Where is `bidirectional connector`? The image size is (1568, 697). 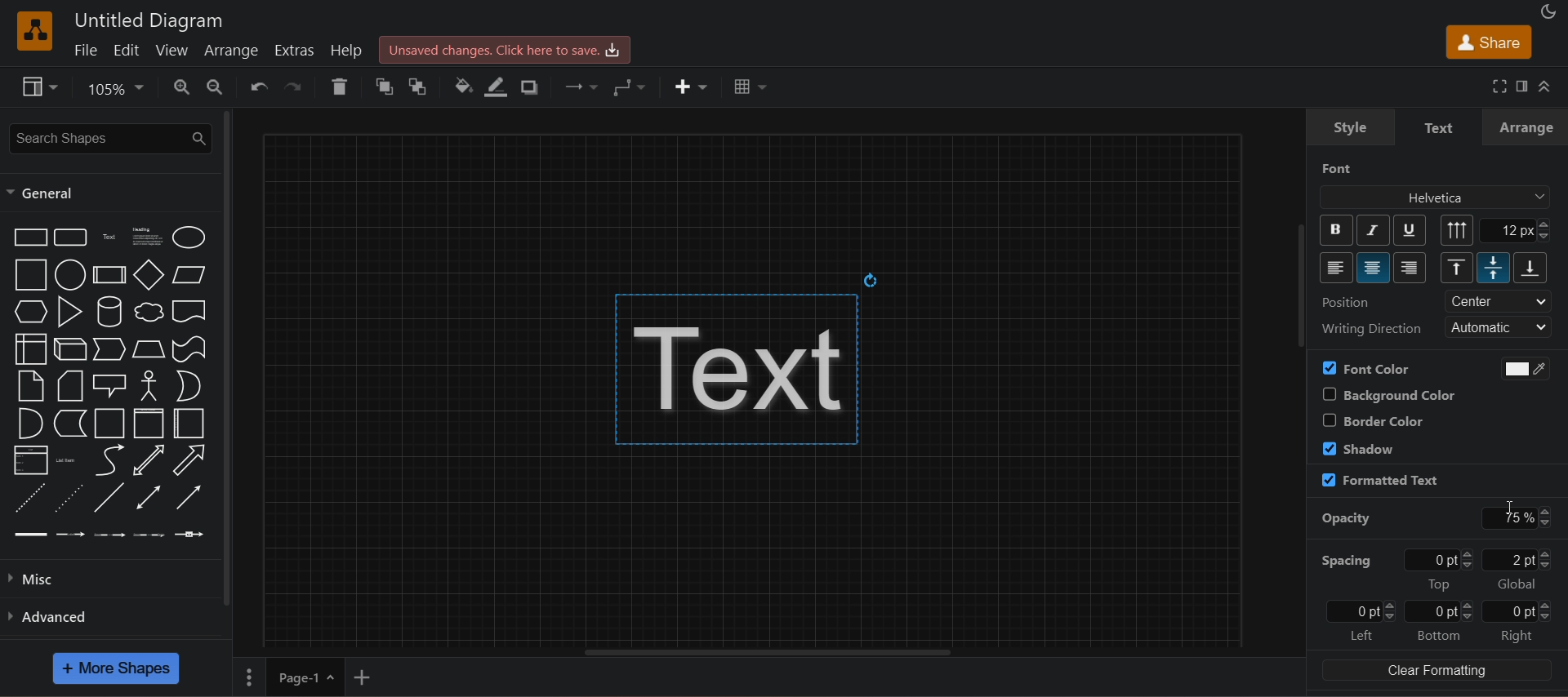 bidirectional connector is located at coordinates (149, 497).